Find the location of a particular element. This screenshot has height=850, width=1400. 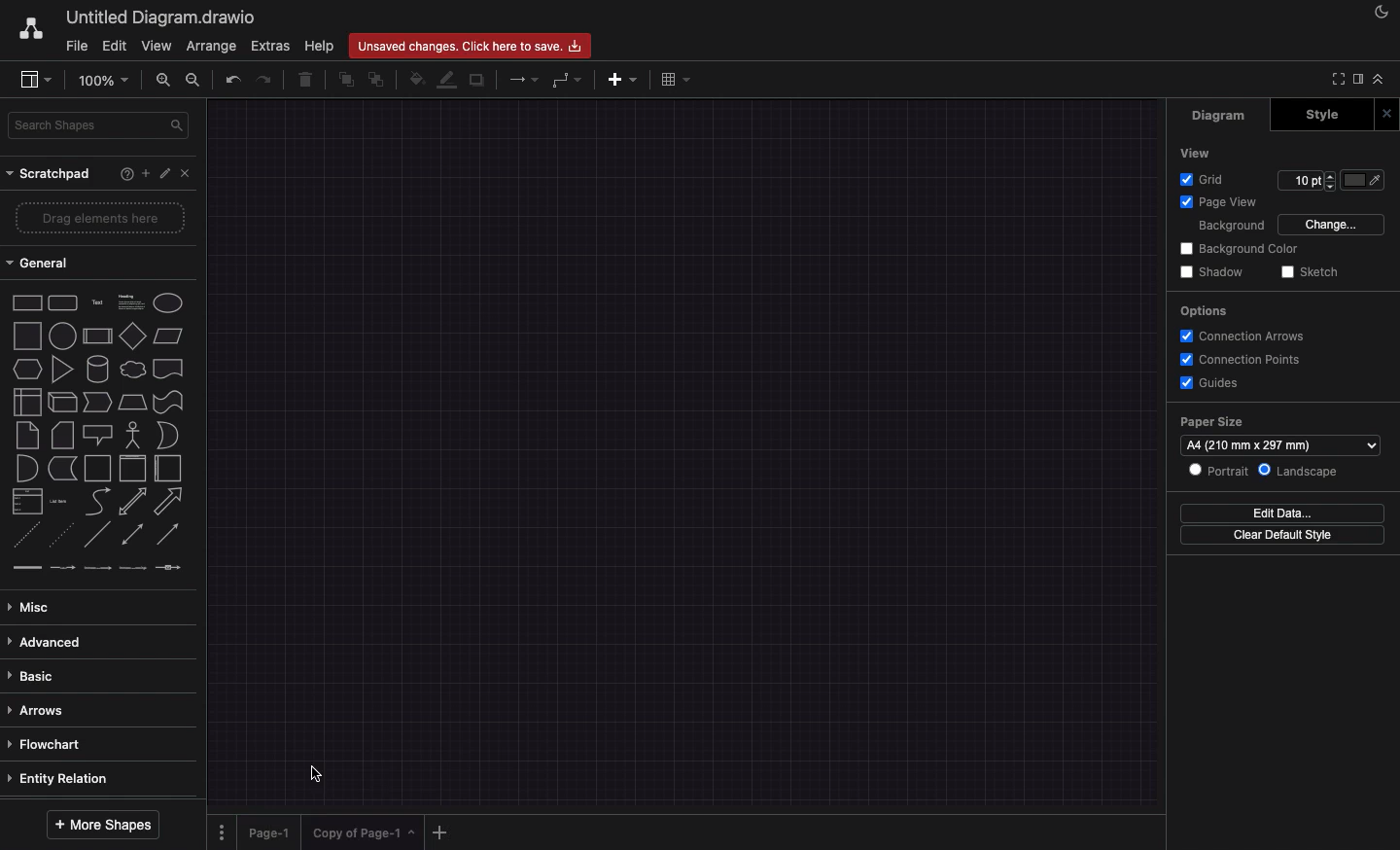

container is located at coordinates (98, 469).